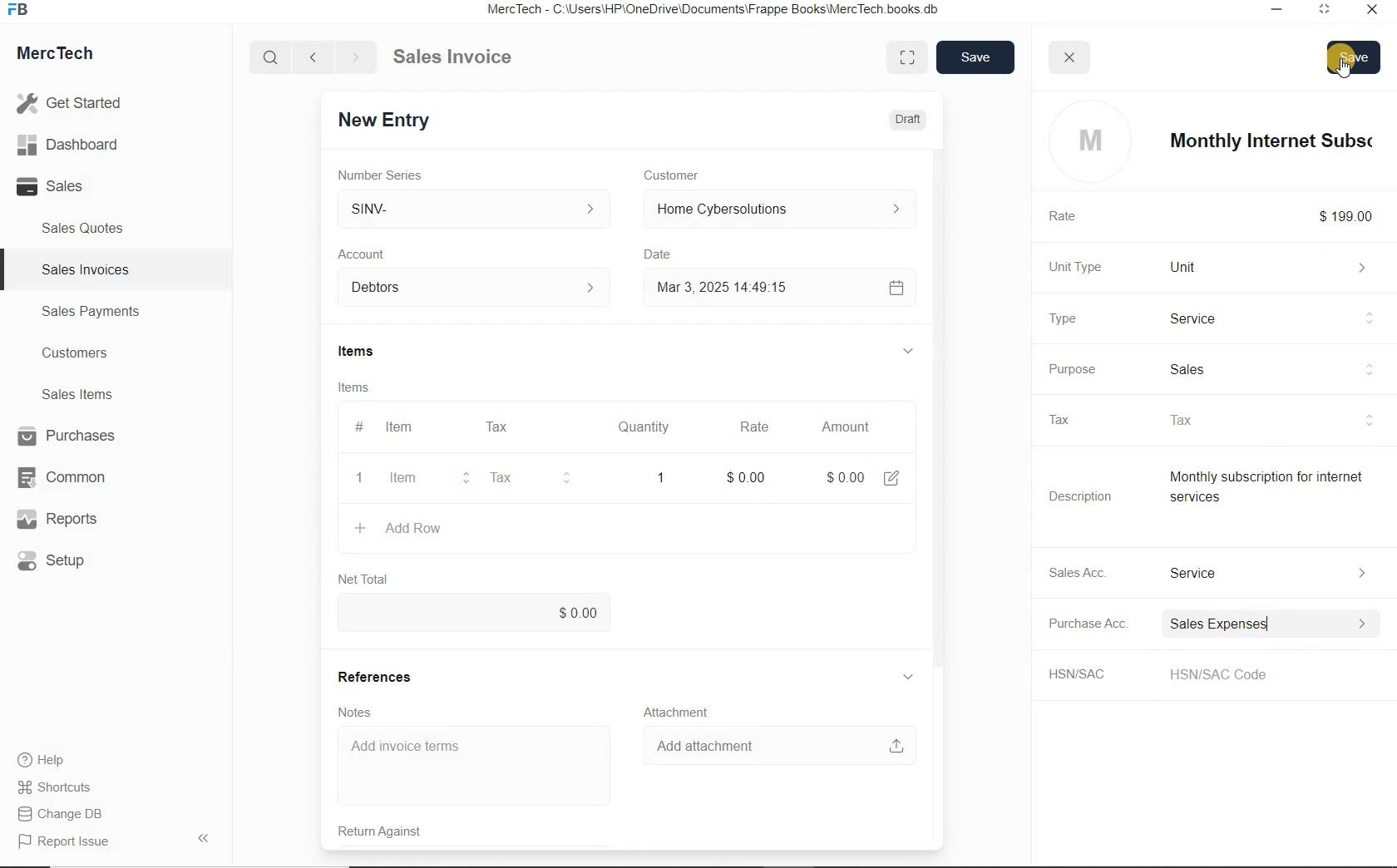 The height and width of the screenshot is (868, 1397). Describe the element at coordinates (1261, 12) in the screenshot. I see `Minimize` at that location.